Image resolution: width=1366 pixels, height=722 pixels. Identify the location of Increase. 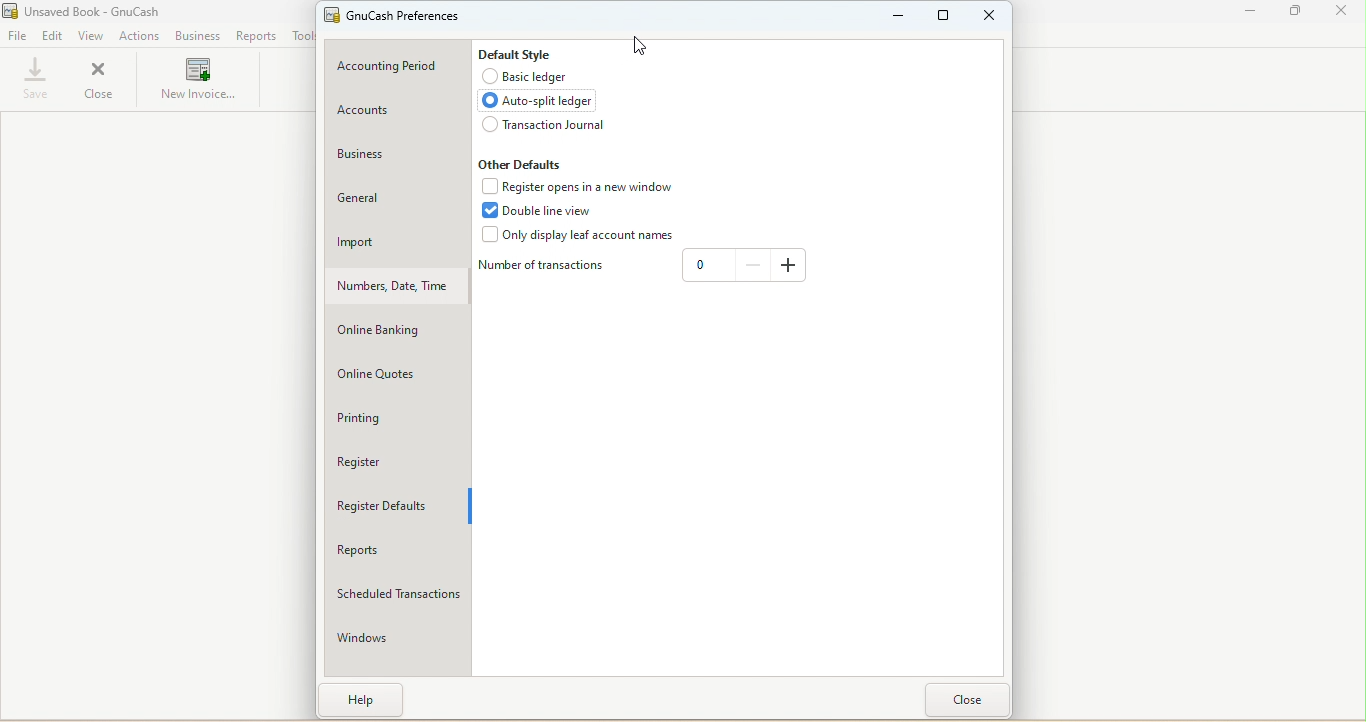
(789, 268).